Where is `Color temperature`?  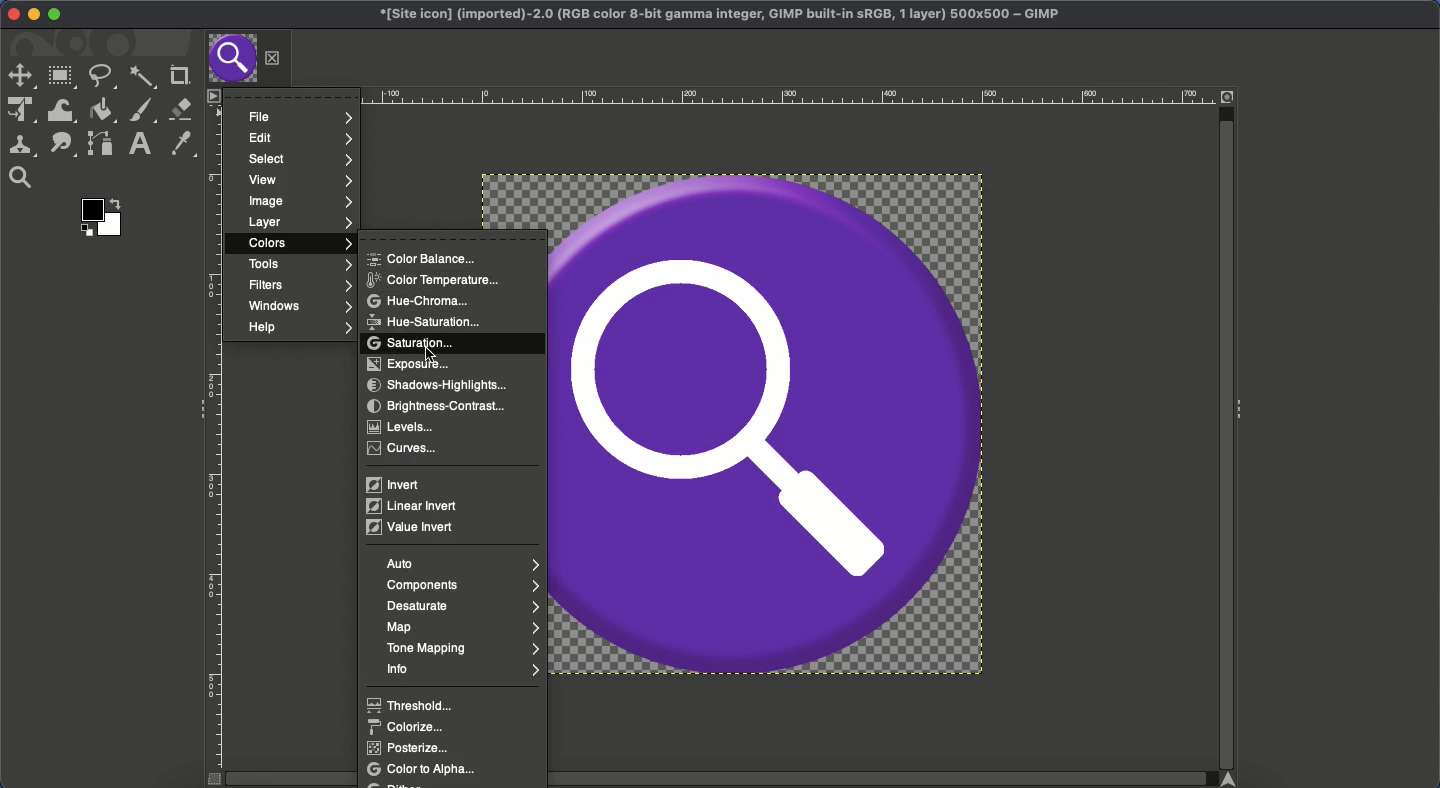 Color temperature is located at coordinates (437, 281).